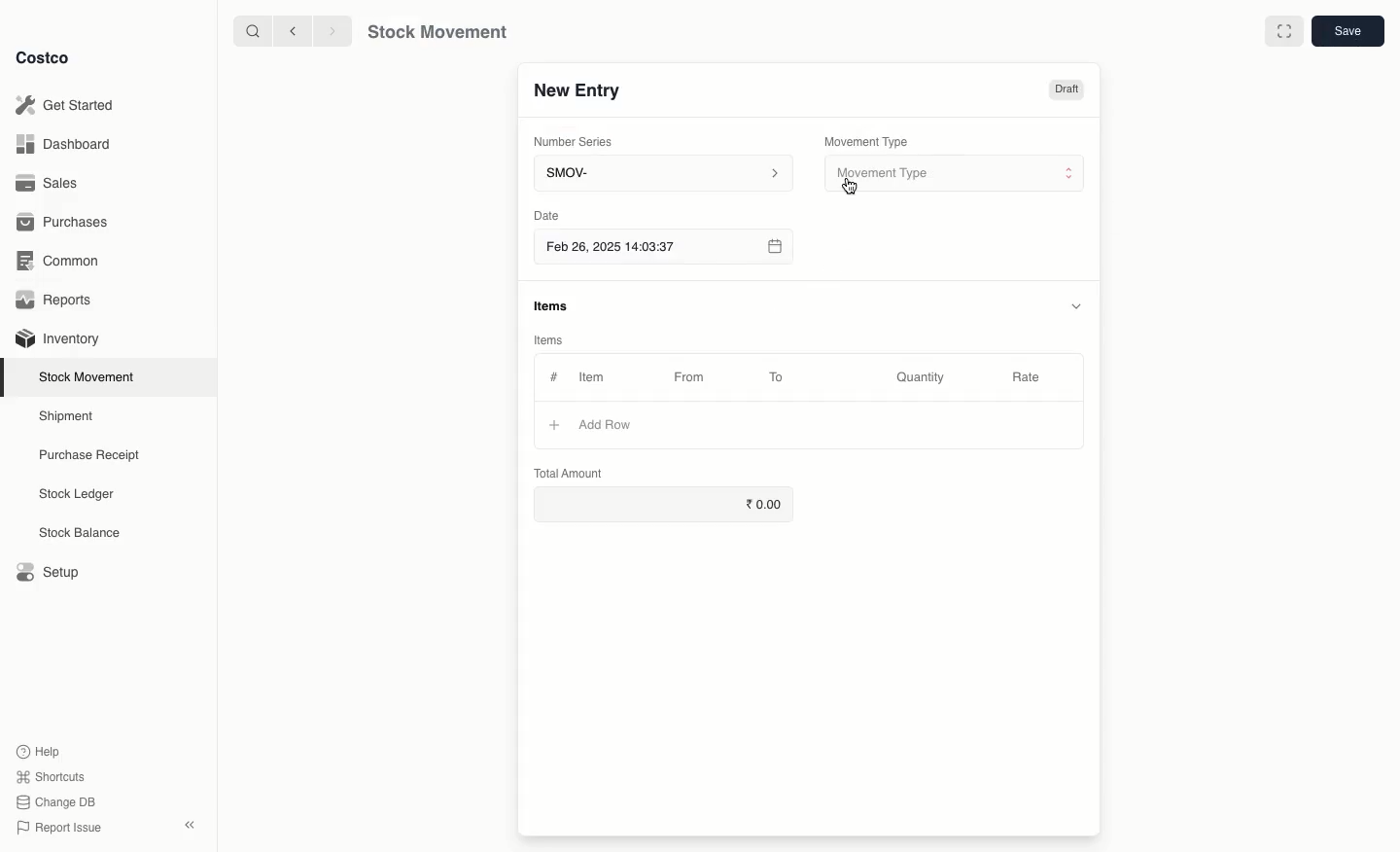  What do you see at coordinates (189, 824) in the screenshot?
I see `collapse` at bounding box center [189, 824].